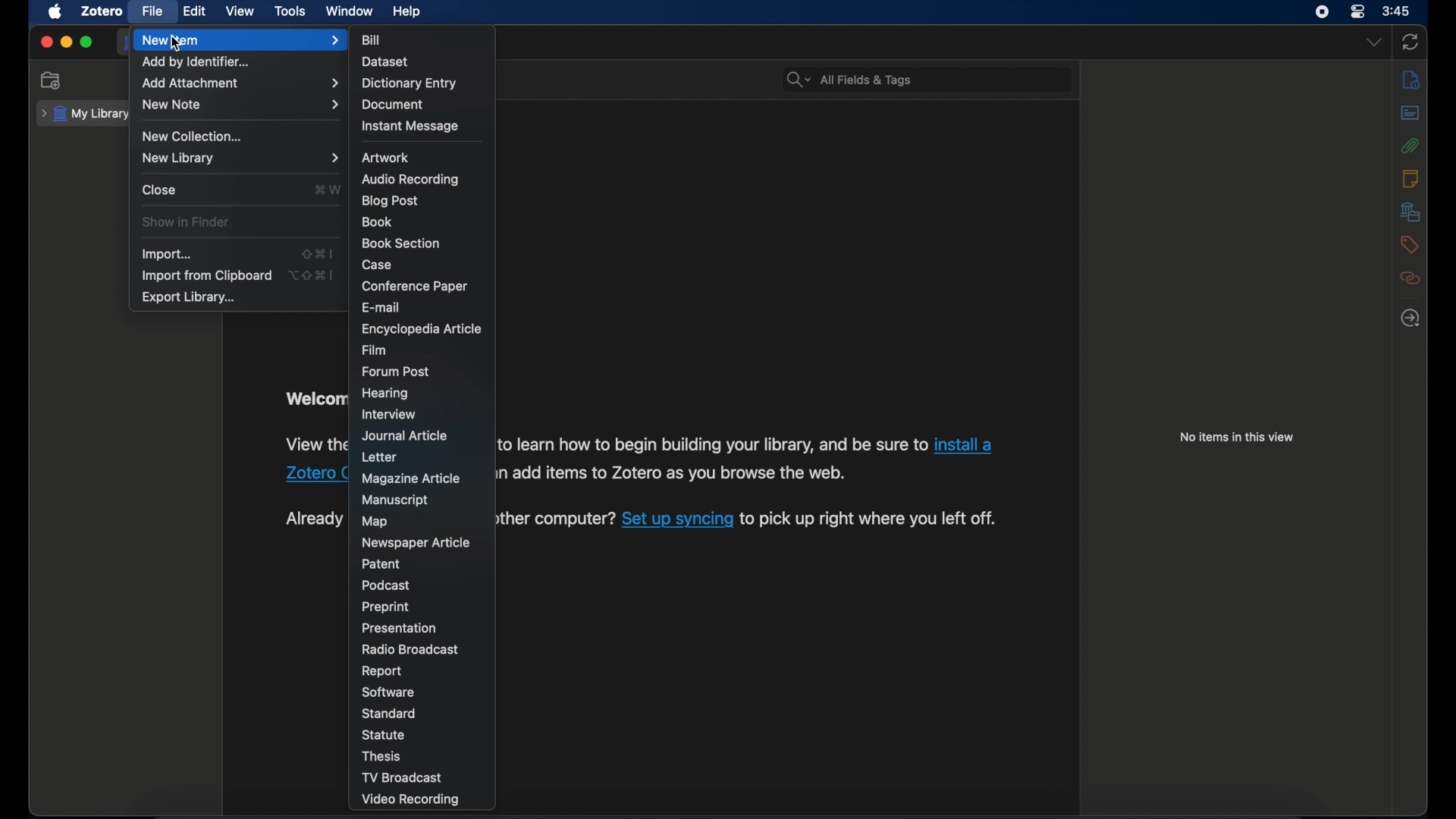 The image size is (1456, 819). Describe the element at coordinates (391, 714) in the screenshot. I see `standard` at that location.